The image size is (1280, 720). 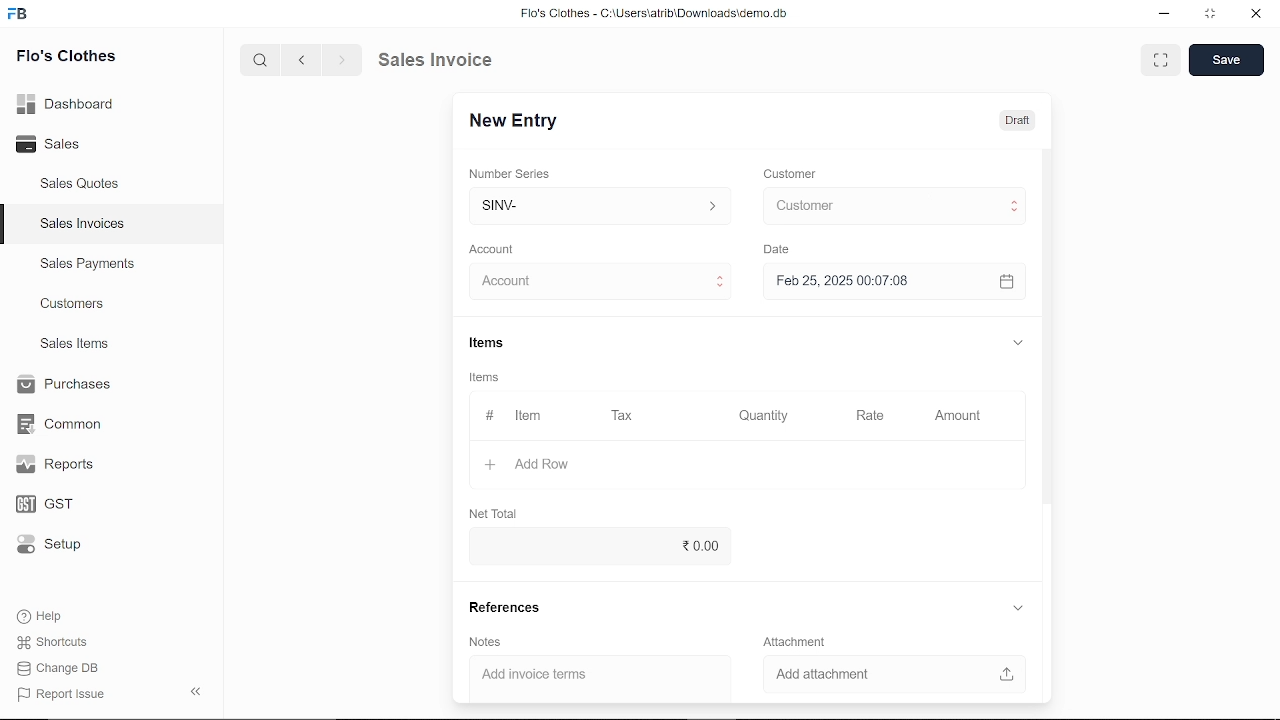 I want to click on Date, so click(x=780, y=249).